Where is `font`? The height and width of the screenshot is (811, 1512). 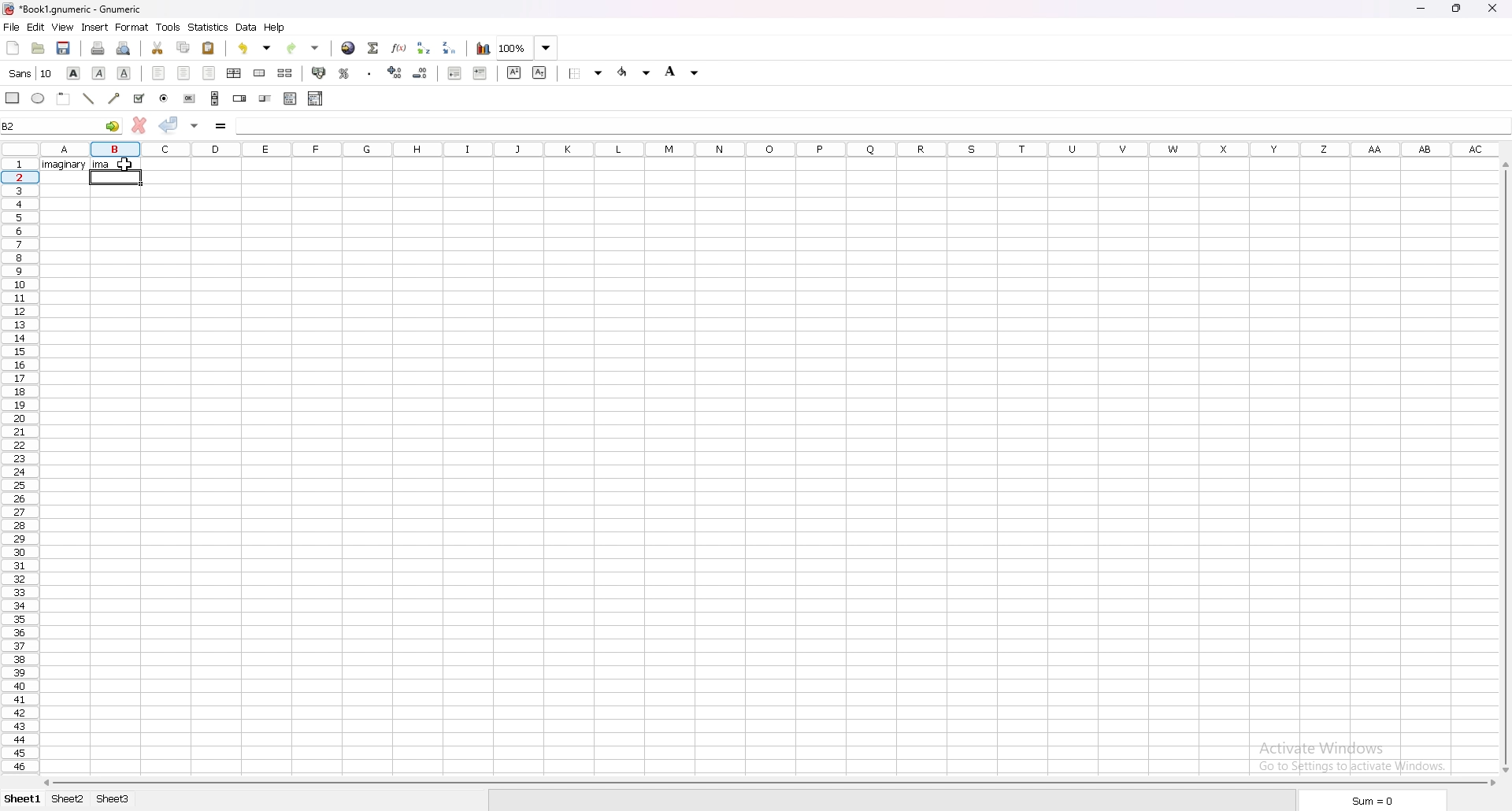 font is located at coordinates (32, 73).